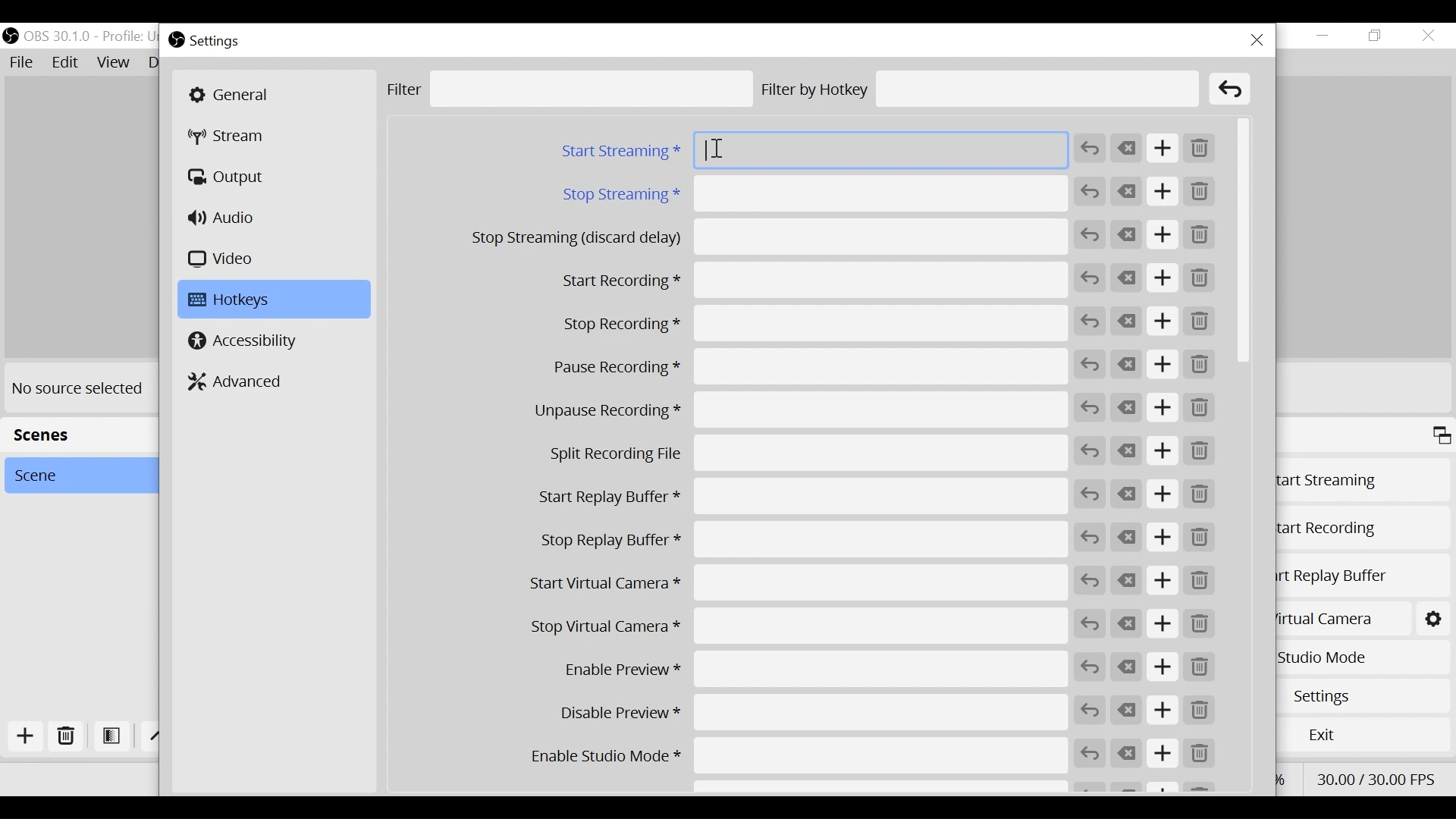 This screenshot has width=1456, height=819. What do you see at coordinates (1129, 711) in the screenshot?
I see `Clear` at bounding box center [1129, 711].